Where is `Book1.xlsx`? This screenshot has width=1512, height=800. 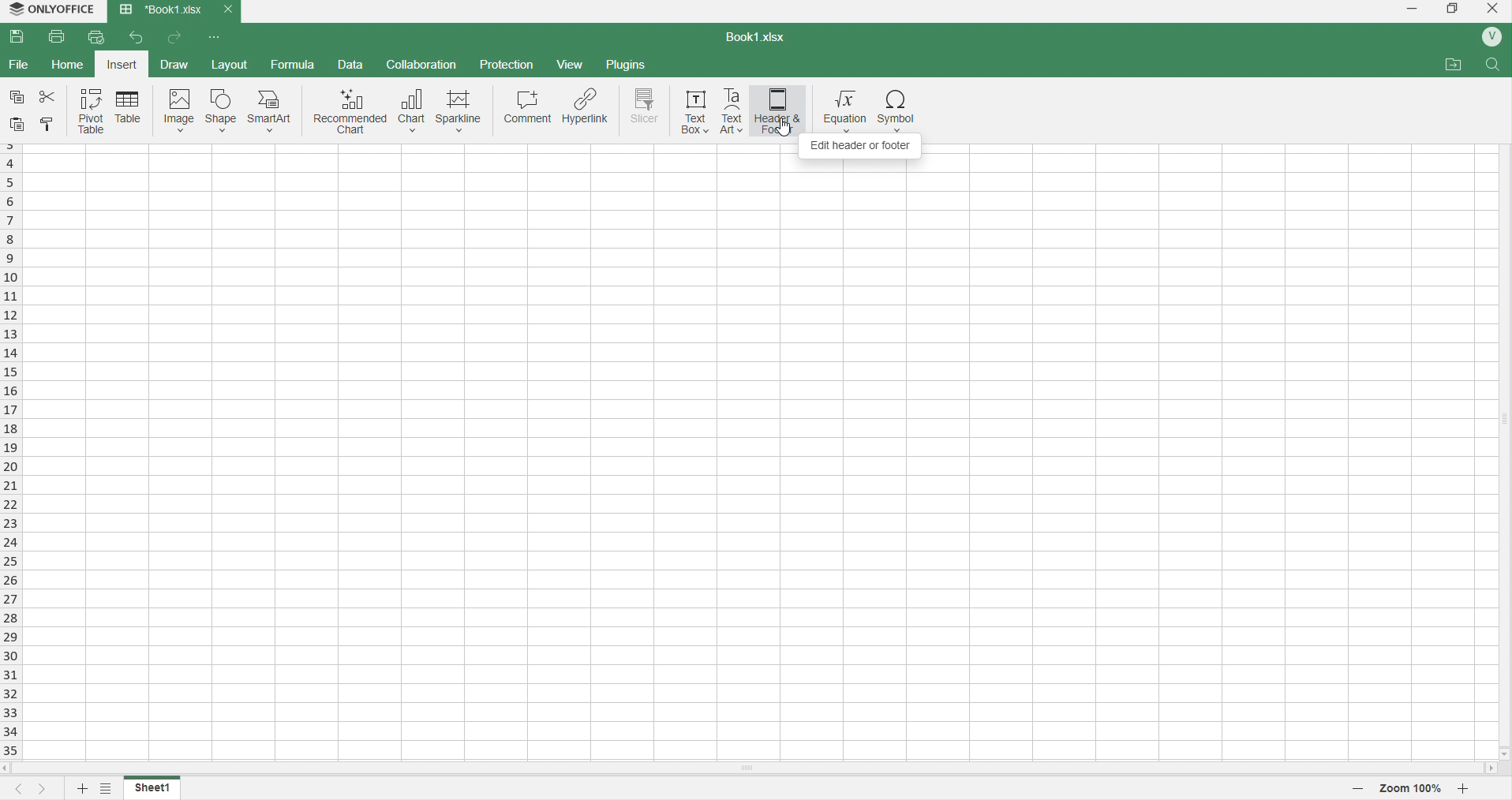
Book1.xlsx is located at coordinates (159, 11).